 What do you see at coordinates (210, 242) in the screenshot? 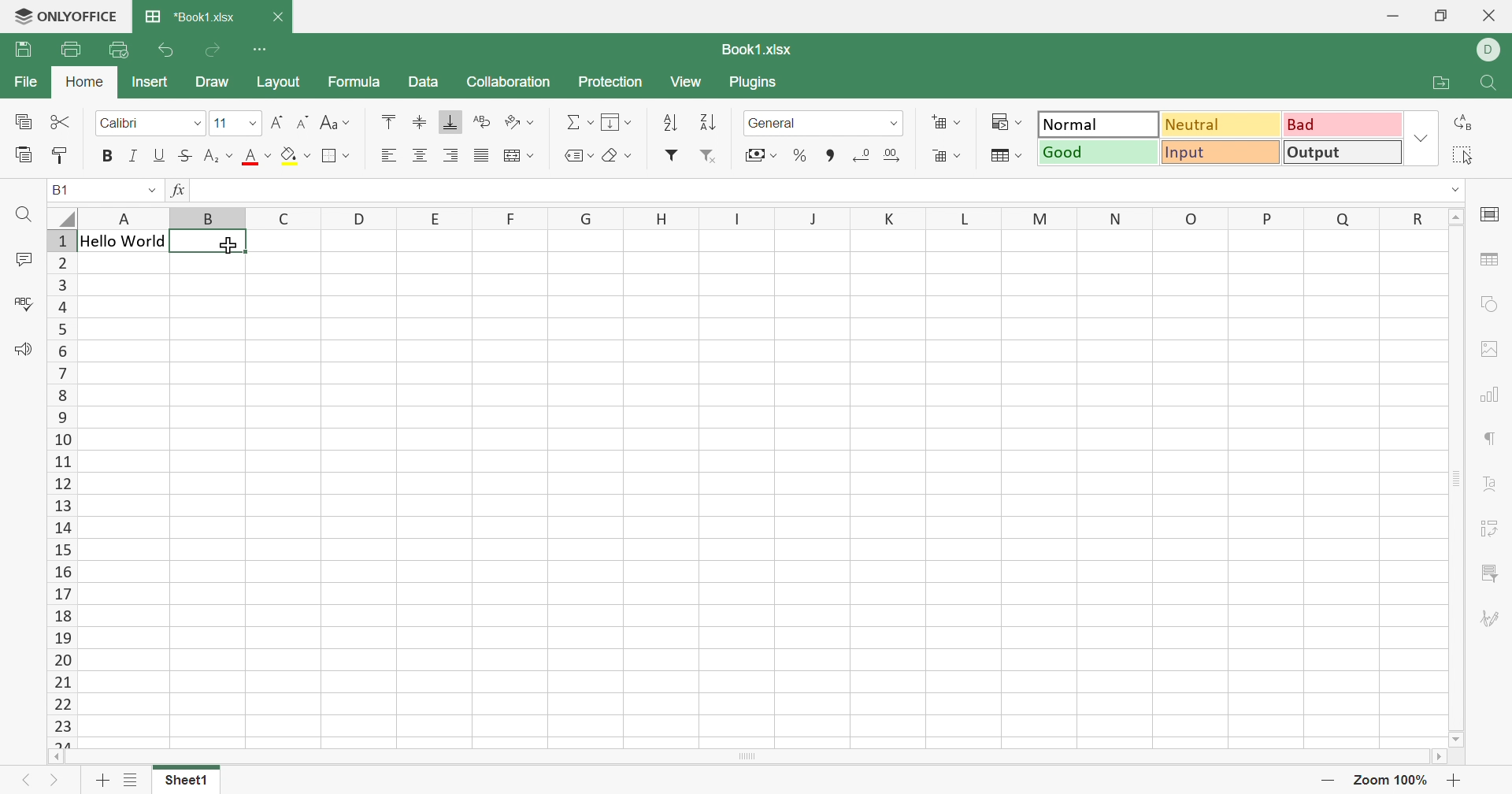
I see `selected cell` at bounding box center [210, 242].